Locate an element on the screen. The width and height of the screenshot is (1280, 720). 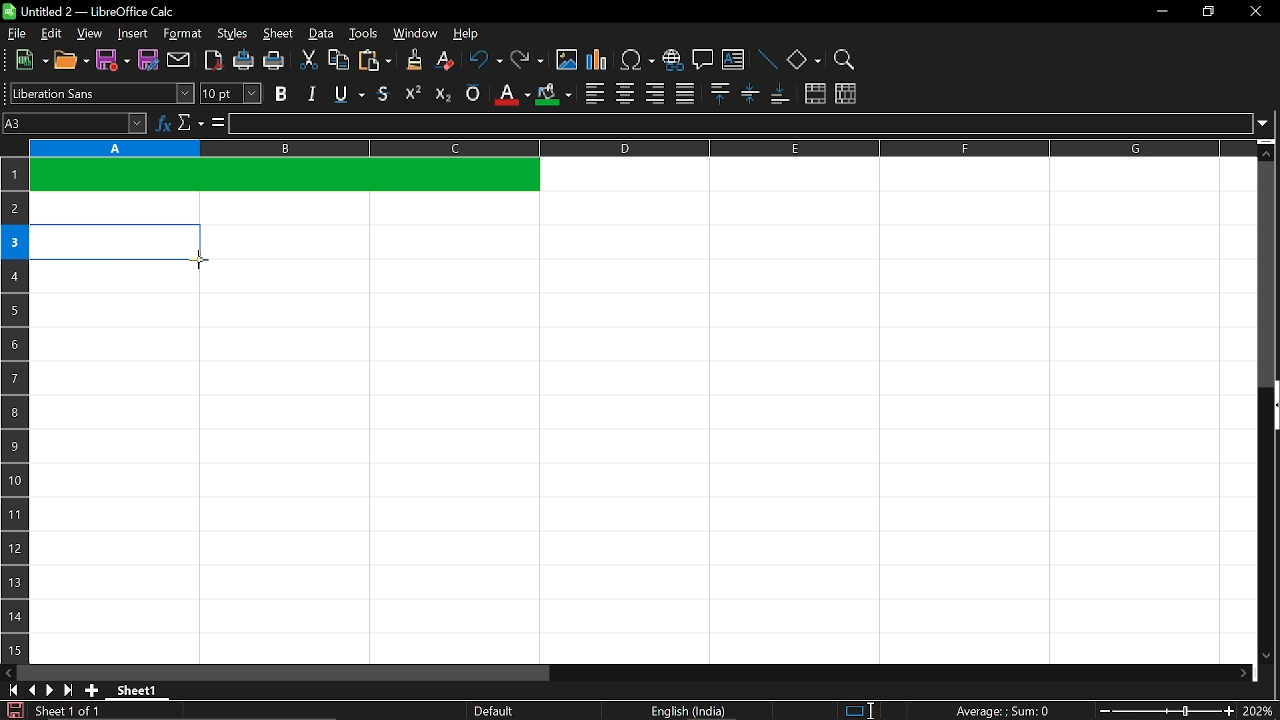
subscript is located at coordinates (442, 93).